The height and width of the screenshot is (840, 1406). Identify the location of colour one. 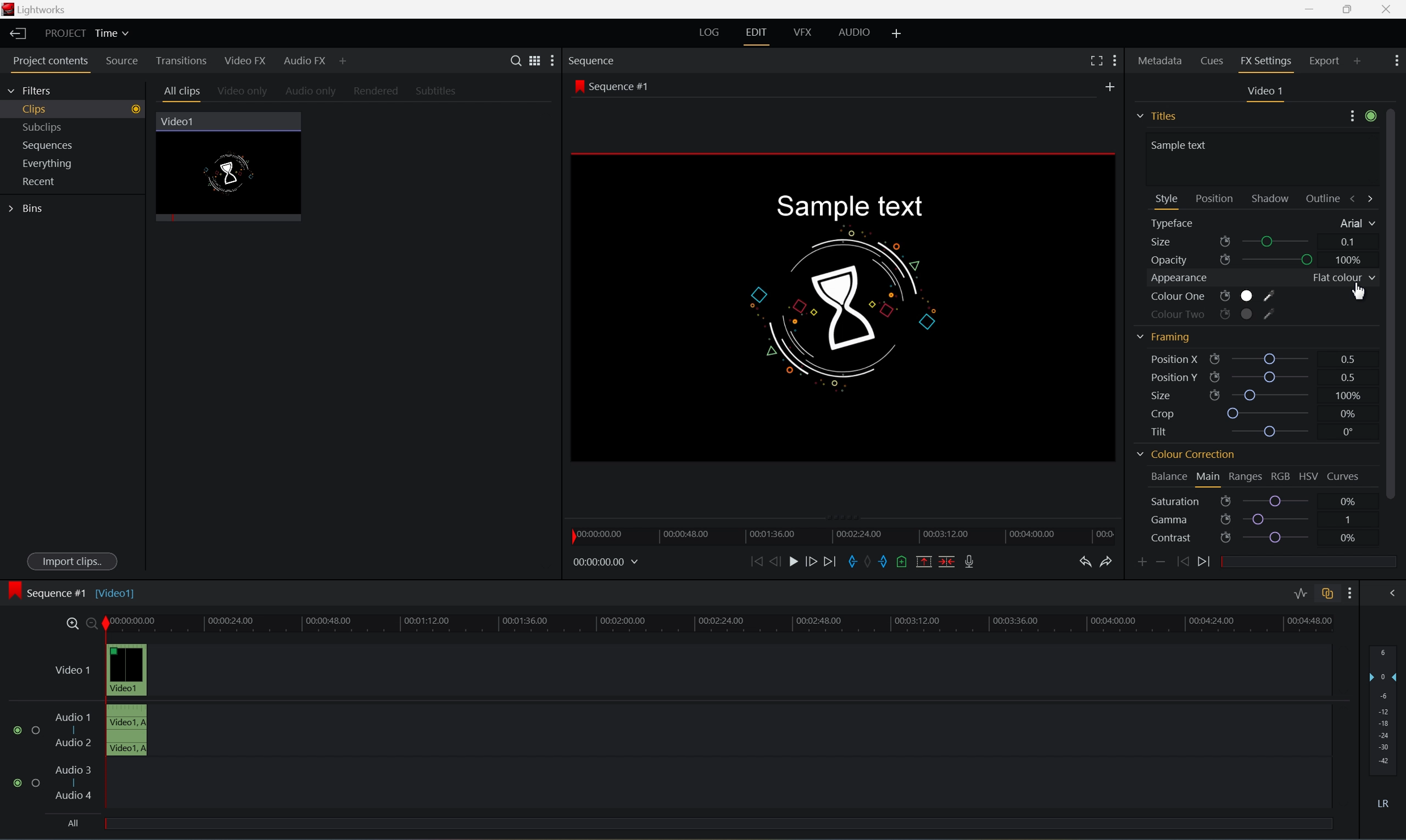
(1212, 298).